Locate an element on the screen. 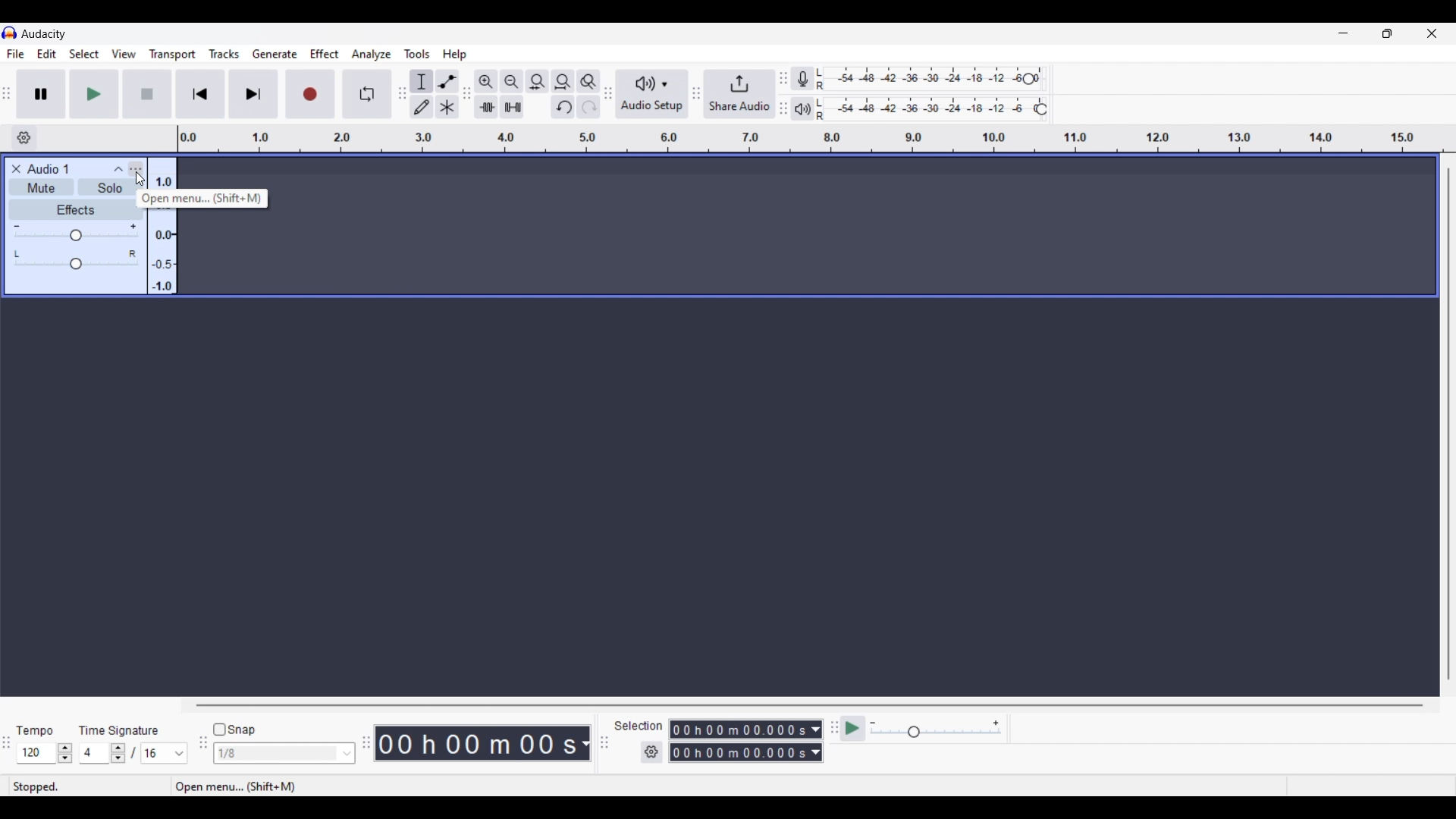 This screenshot has width=1456, height=819. Time Signature is located at coordinates (121, 730).